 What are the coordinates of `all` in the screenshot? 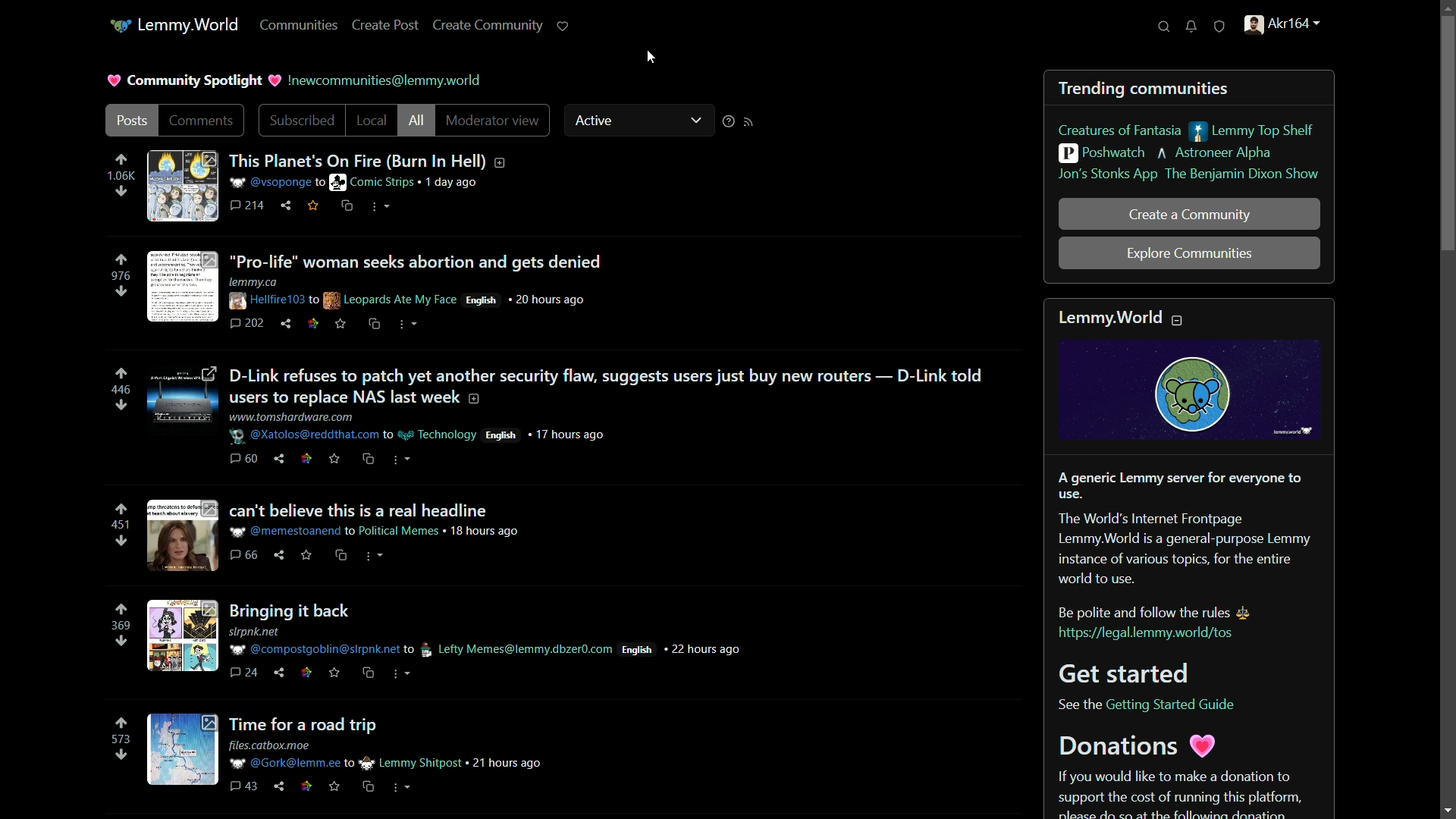 It's located at (417, 121).